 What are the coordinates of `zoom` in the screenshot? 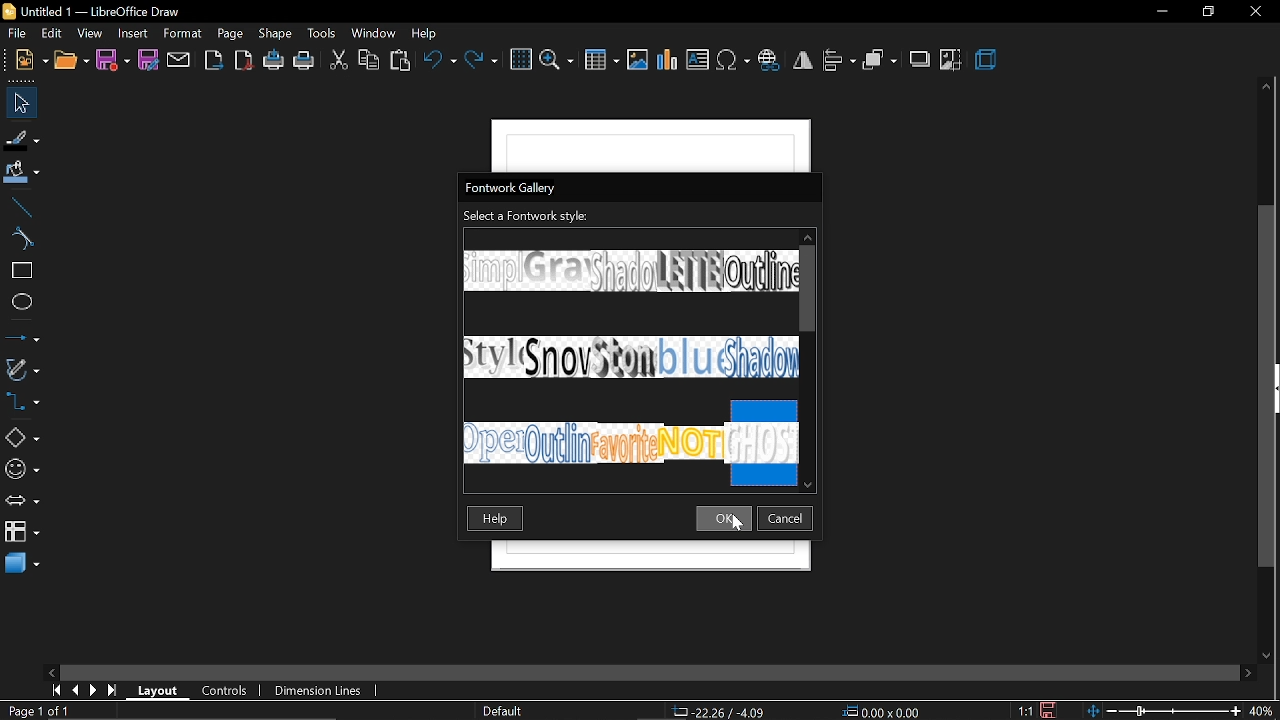 It's located at (557, 61).